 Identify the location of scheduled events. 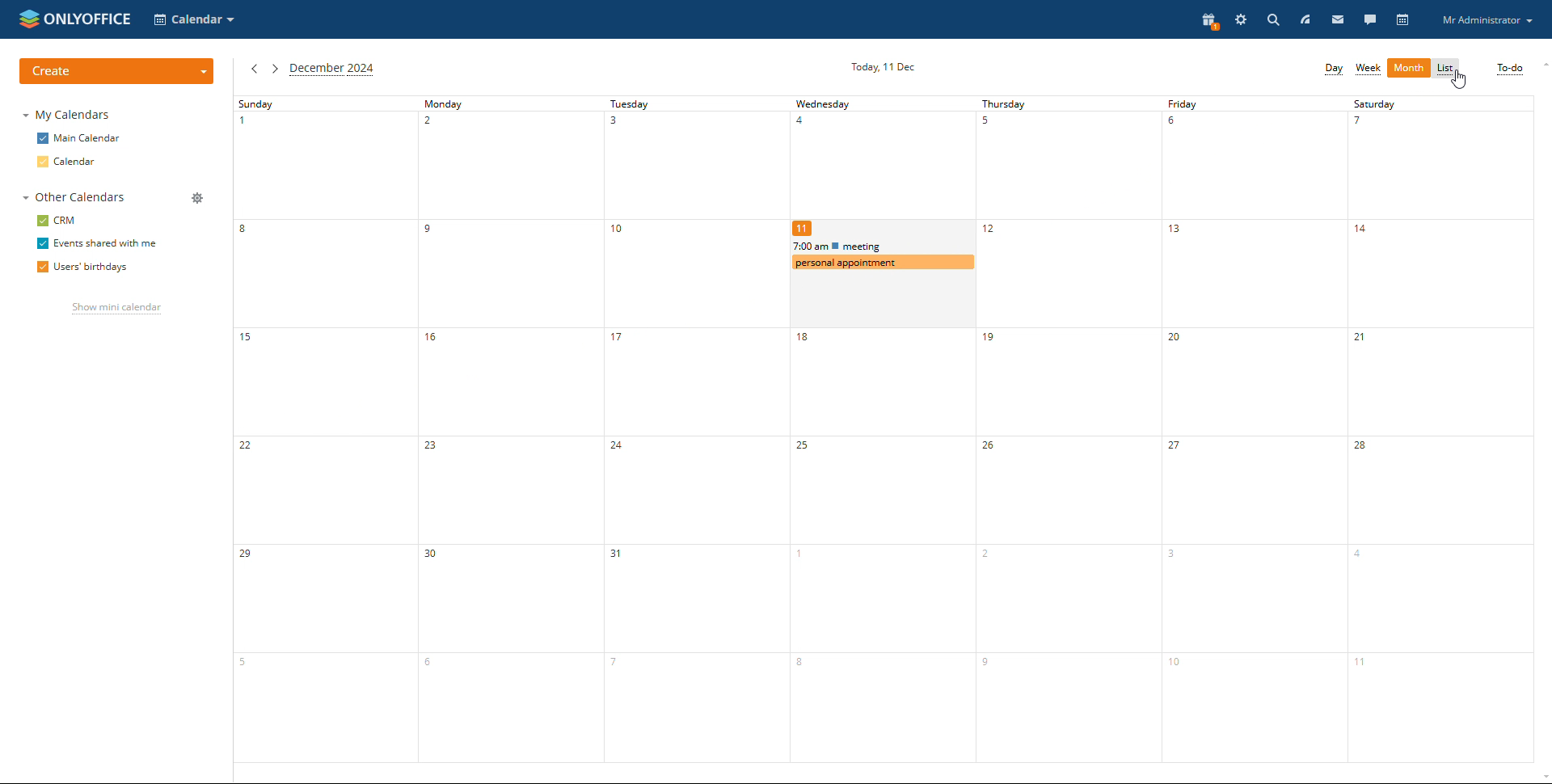
(884, 255).